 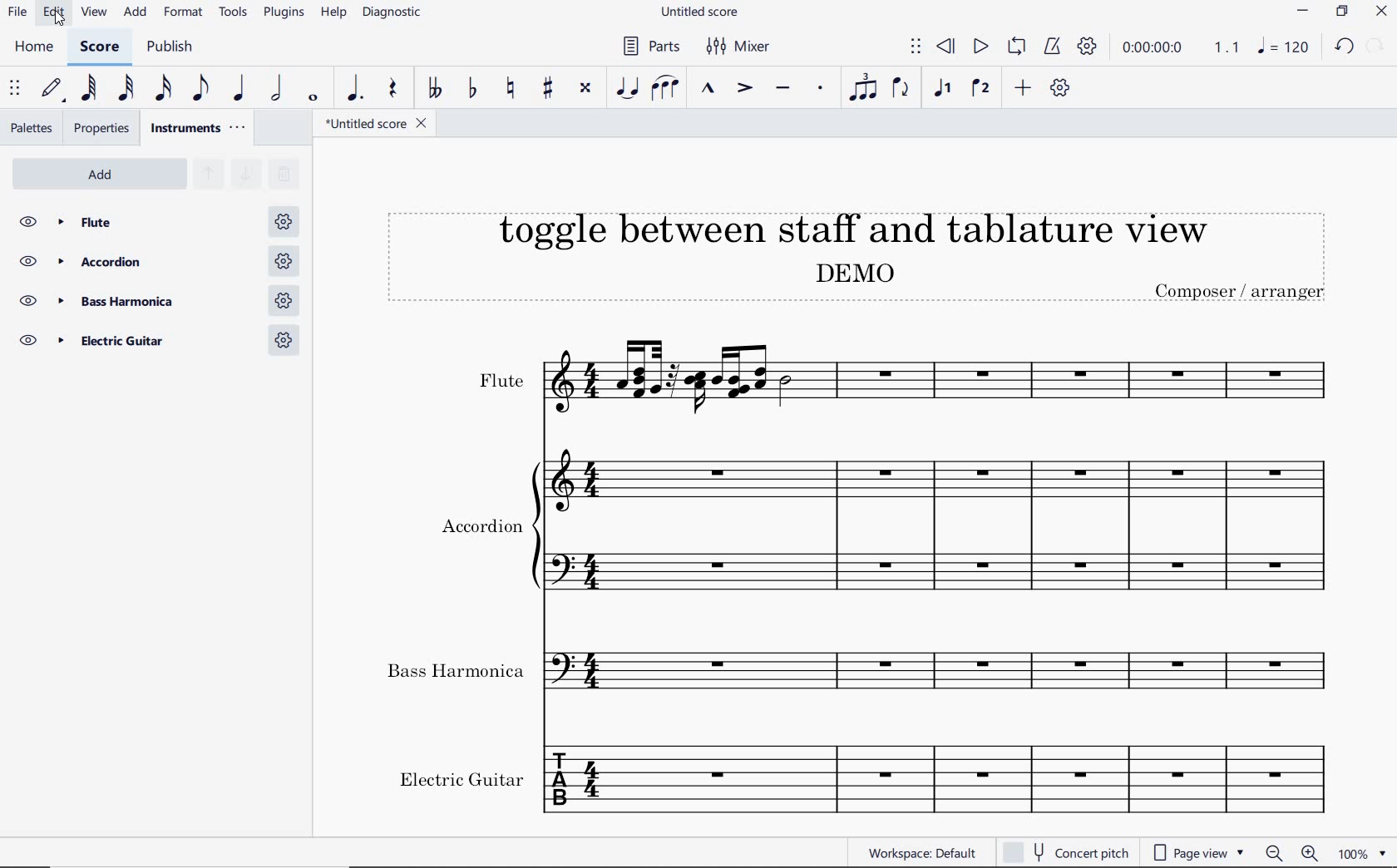 What do you see at coordinates (205, 175) in the screenshot?
I see `MOVE SELECTED STAVES UP` at bounding box center [205, 175].